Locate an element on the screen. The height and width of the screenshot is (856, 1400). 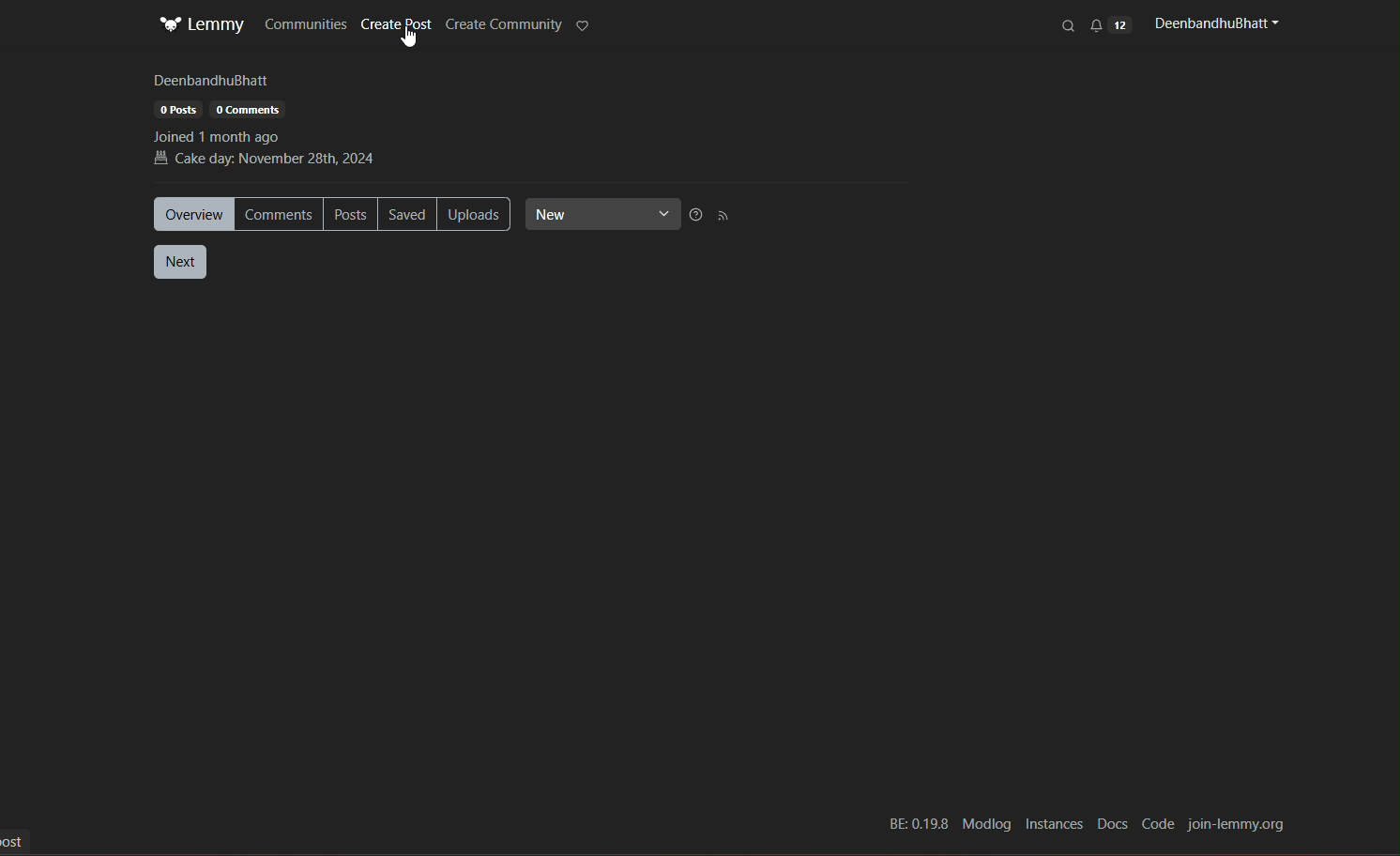
0 posts is located at coordinates (179, 110).